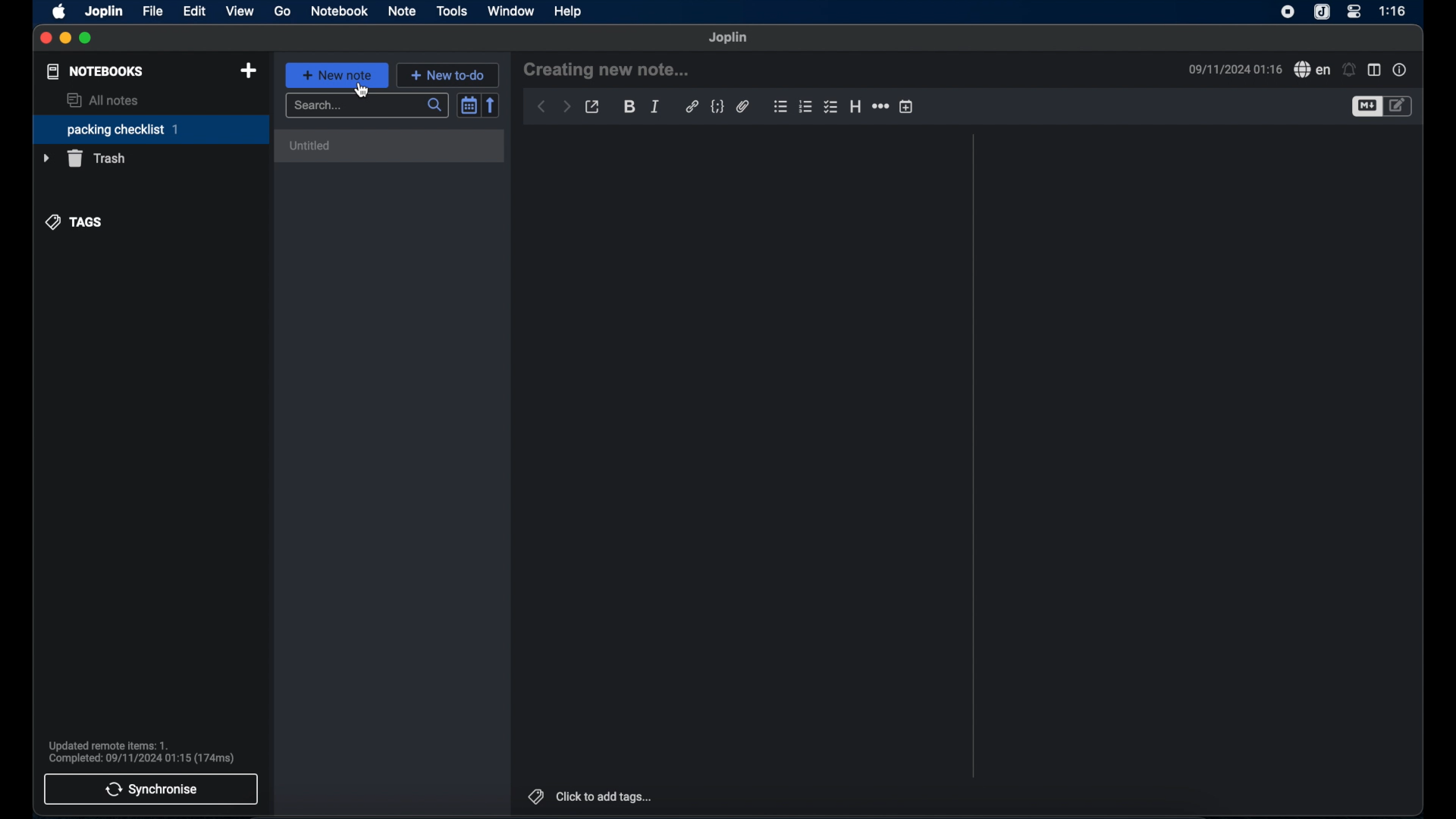 This screenshot has height=819, width=1456. Describe the element at coordinates (468, 105) in the screenshot. I see `toggle sort order field` at that location.